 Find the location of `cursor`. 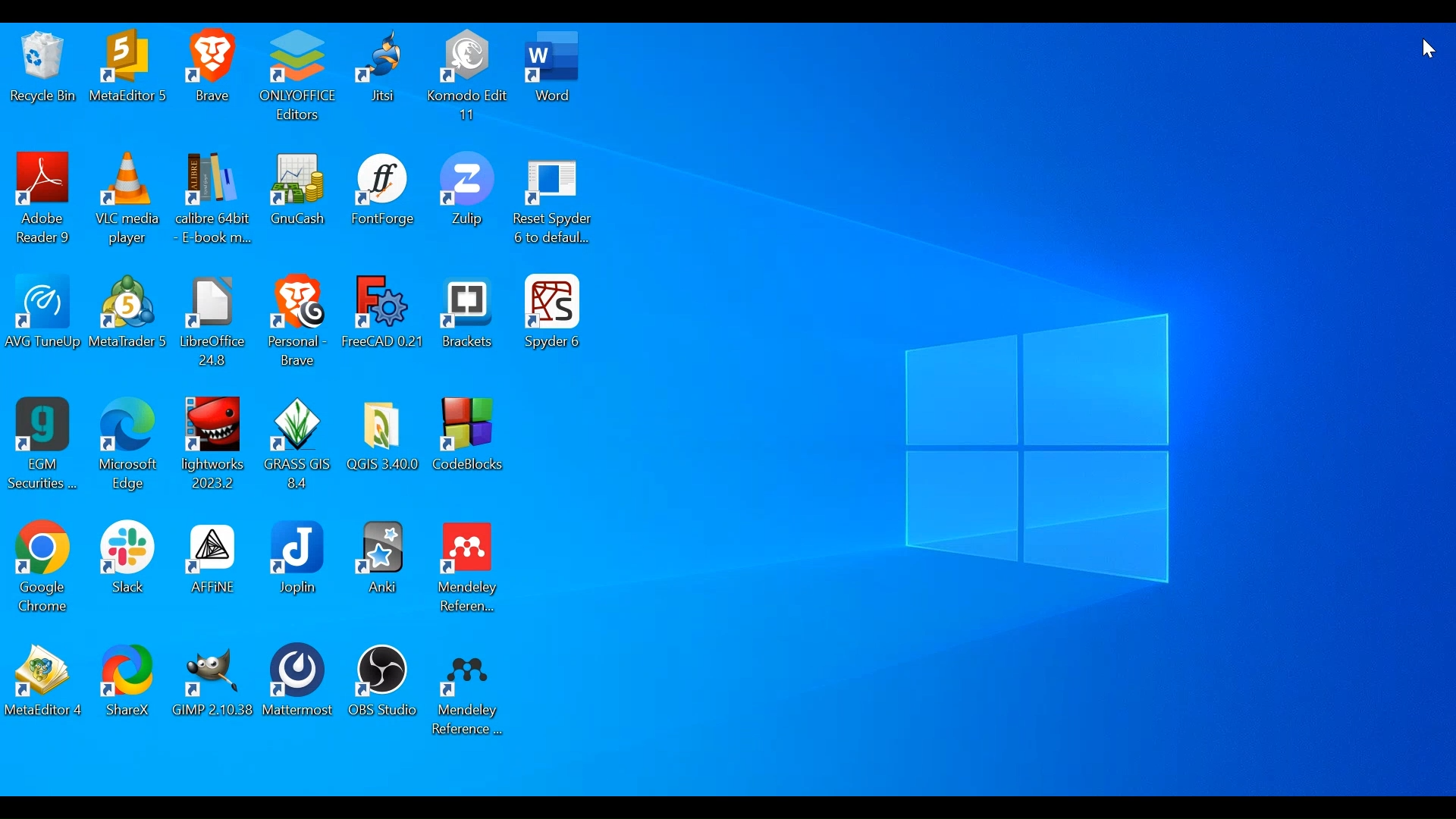

cursor is located at coordinates (1427, 49).